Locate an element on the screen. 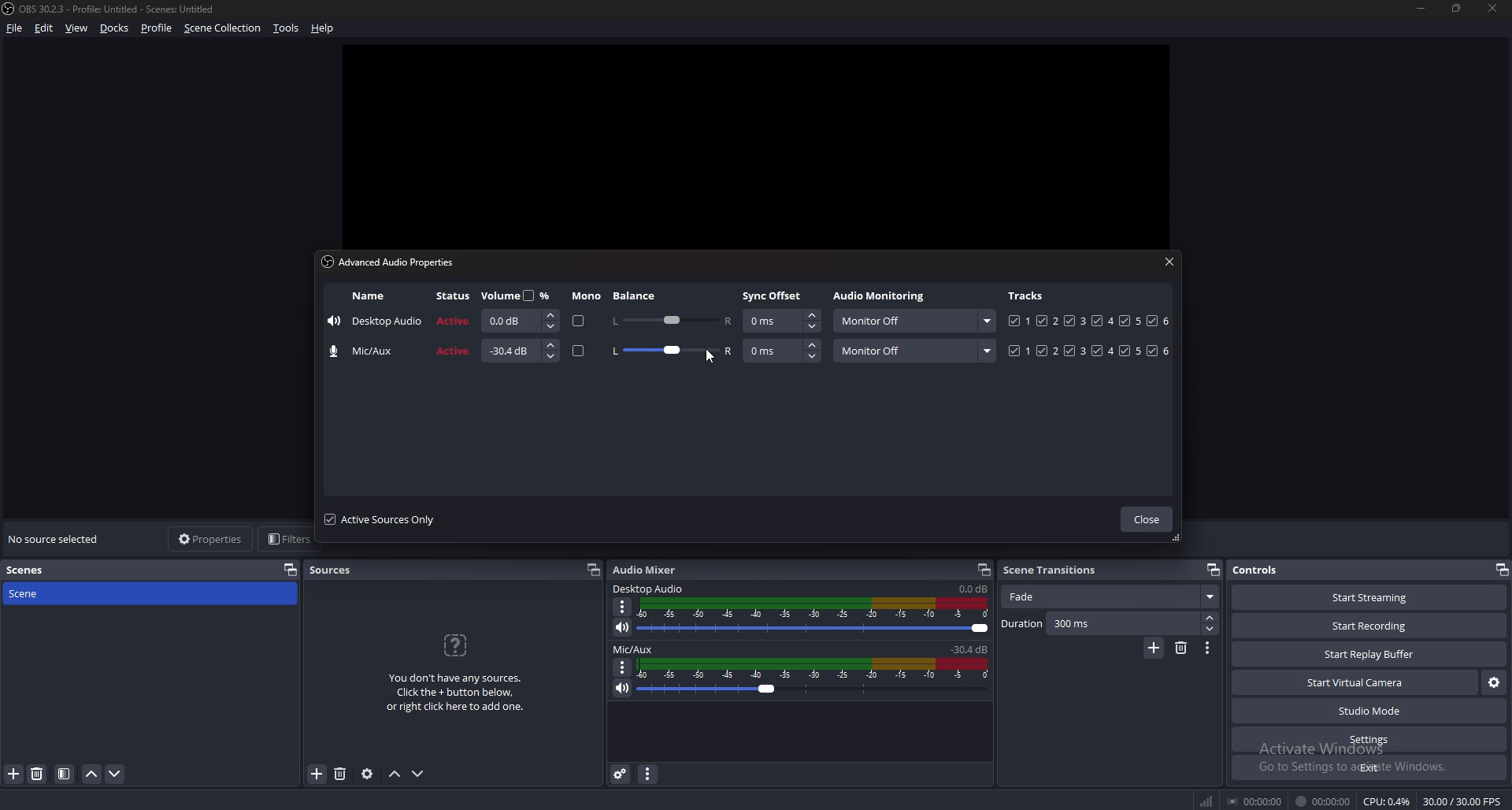 The image size is (1512, 810). sources is located at coordinates (340, 568).